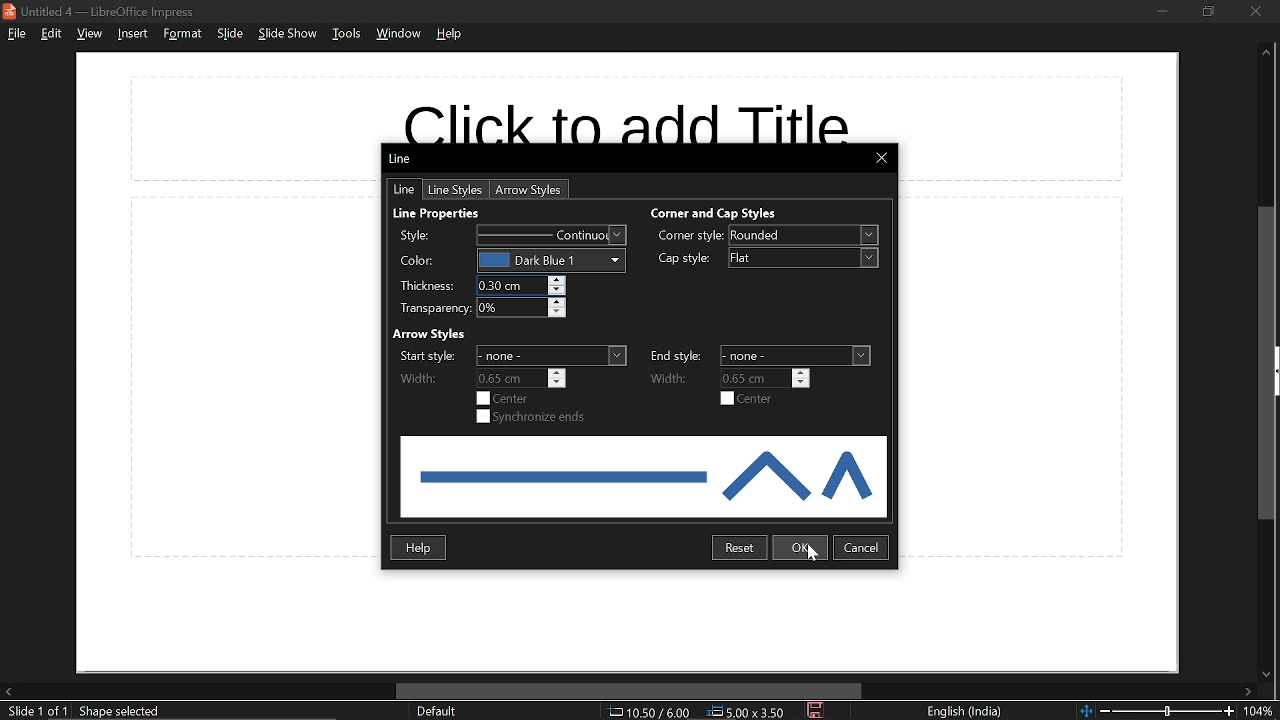 The height and width of the screenshot is (720, 1280). I want to click on help, so click(420, 549).